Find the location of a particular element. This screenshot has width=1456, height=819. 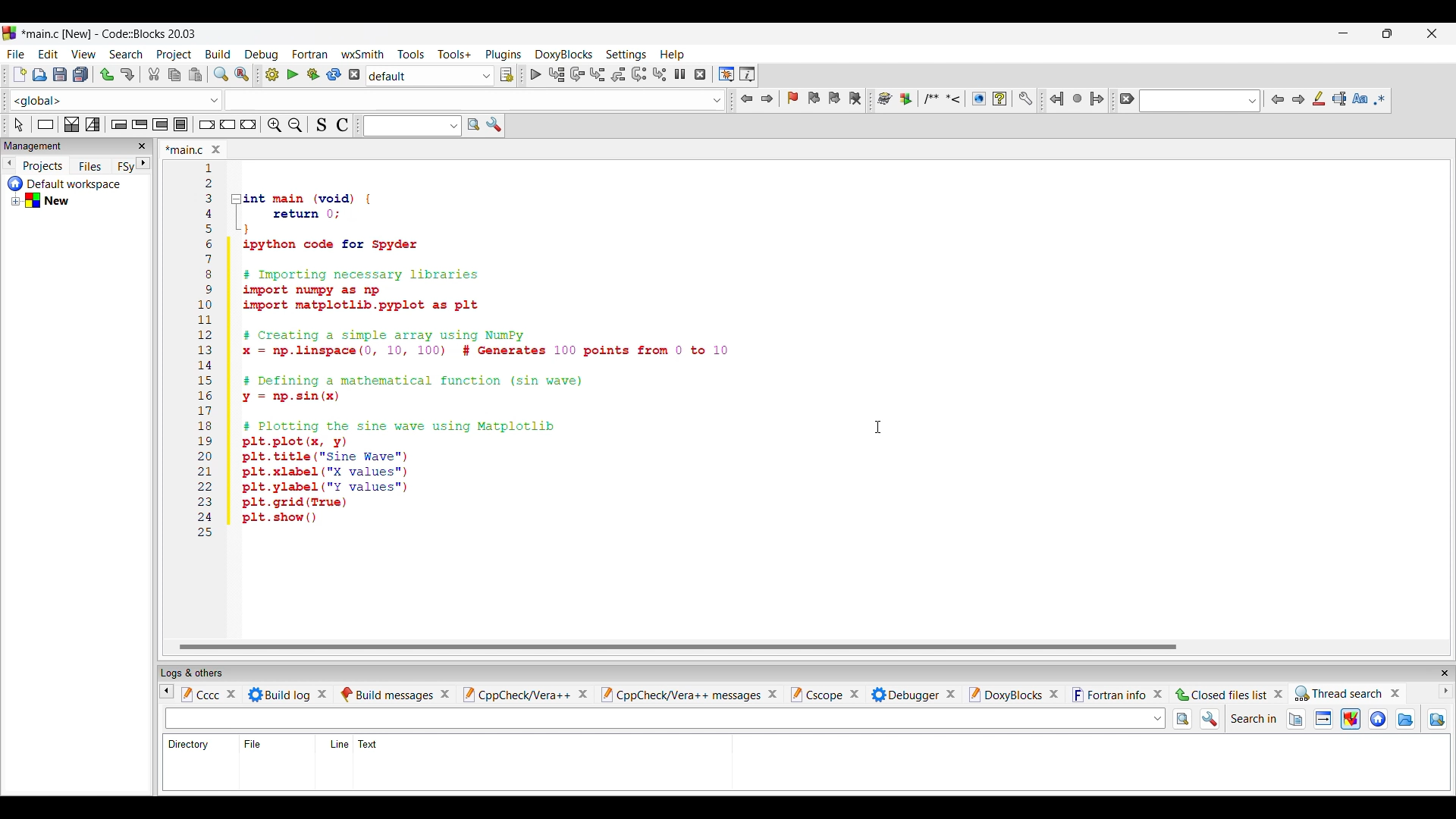

 is located at coordinates (190, 693).